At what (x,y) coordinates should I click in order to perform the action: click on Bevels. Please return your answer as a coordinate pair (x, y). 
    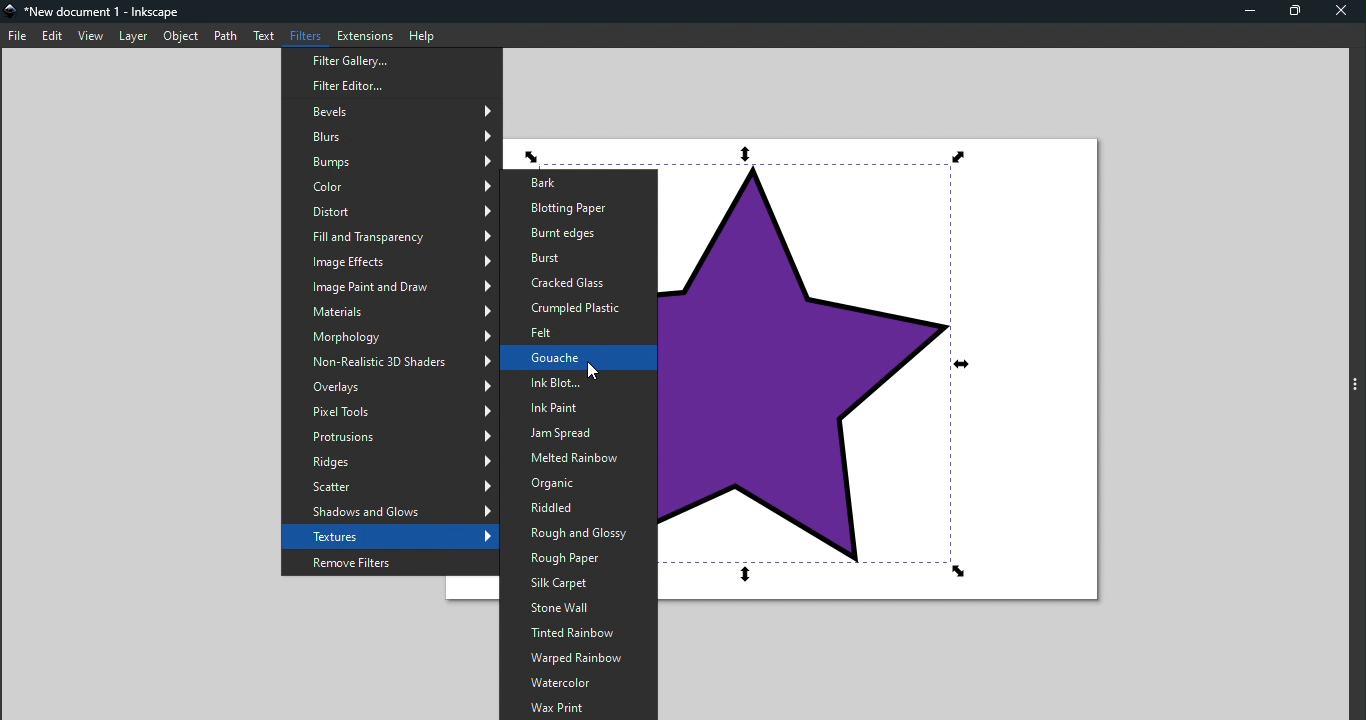
    Looking at the image, I should click on (389, 112).